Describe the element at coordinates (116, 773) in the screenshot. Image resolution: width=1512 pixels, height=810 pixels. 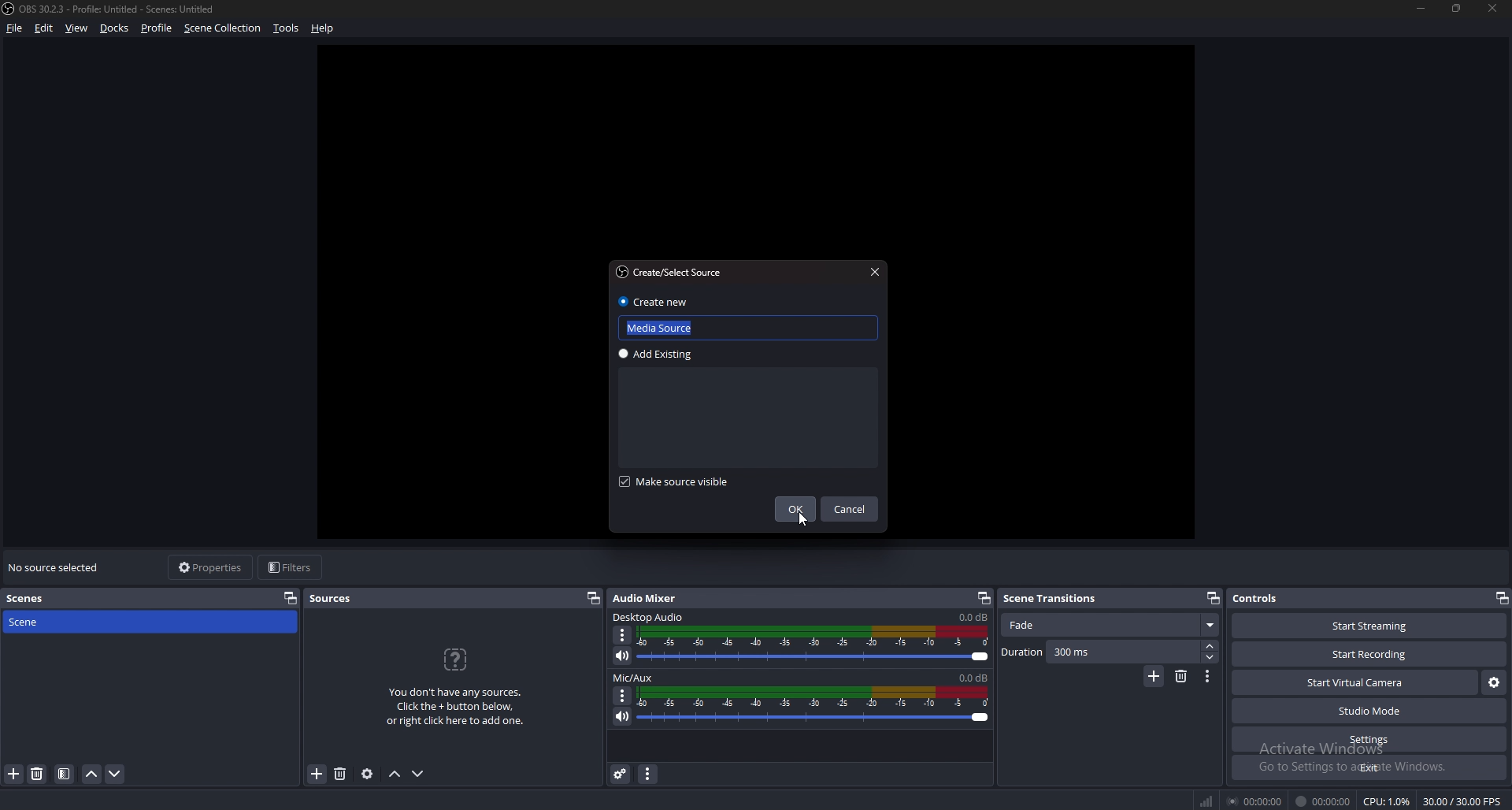
I see `move scene down` at that location.